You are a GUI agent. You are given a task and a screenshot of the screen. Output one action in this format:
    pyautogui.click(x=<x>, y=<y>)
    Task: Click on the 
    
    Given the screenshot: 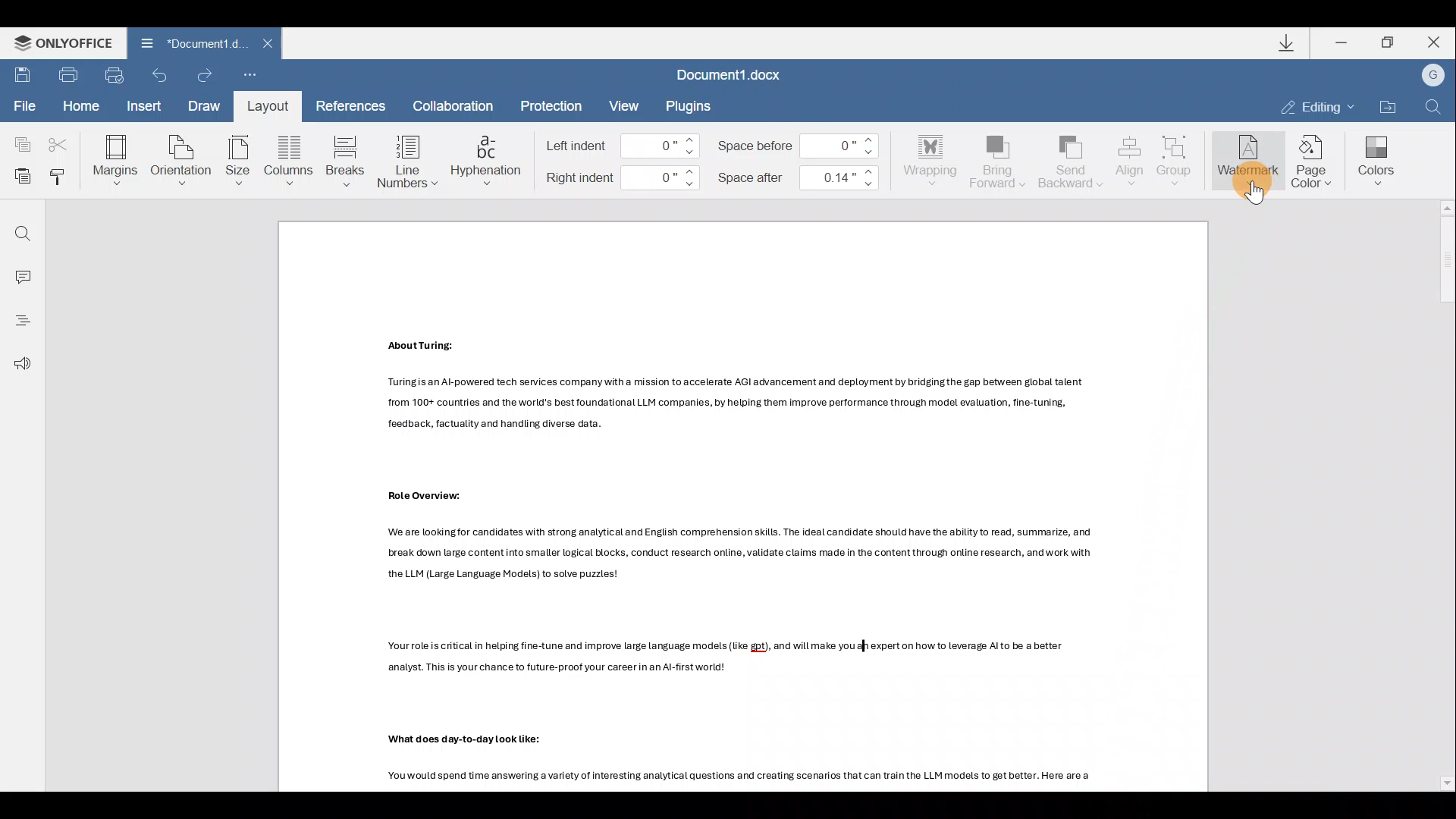 What is the action you would take?
    pyautogui.click(x=741, y=778)
    